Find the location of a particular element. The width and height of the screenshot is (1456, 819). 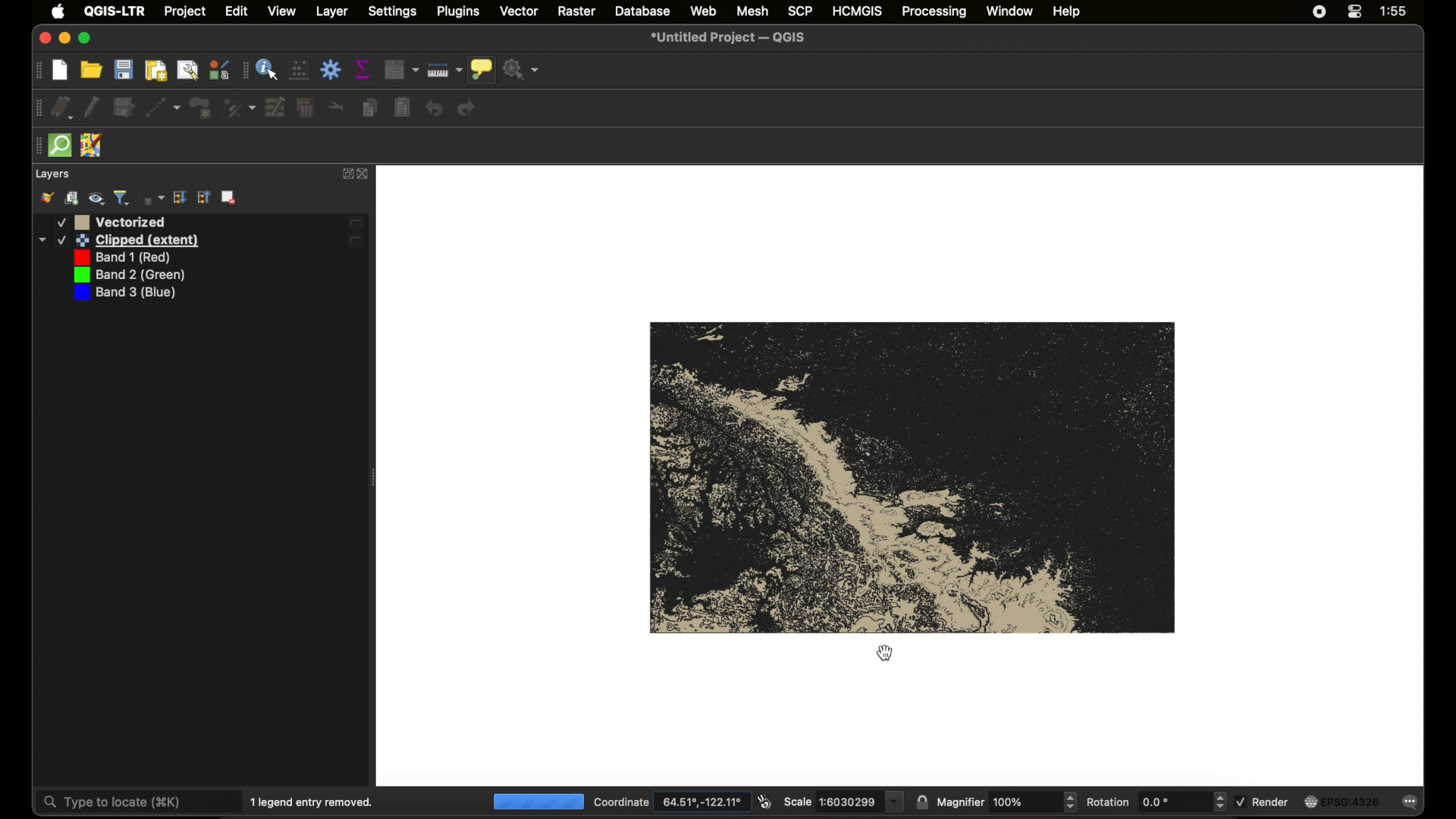

close is located at coordinates (43, 39).